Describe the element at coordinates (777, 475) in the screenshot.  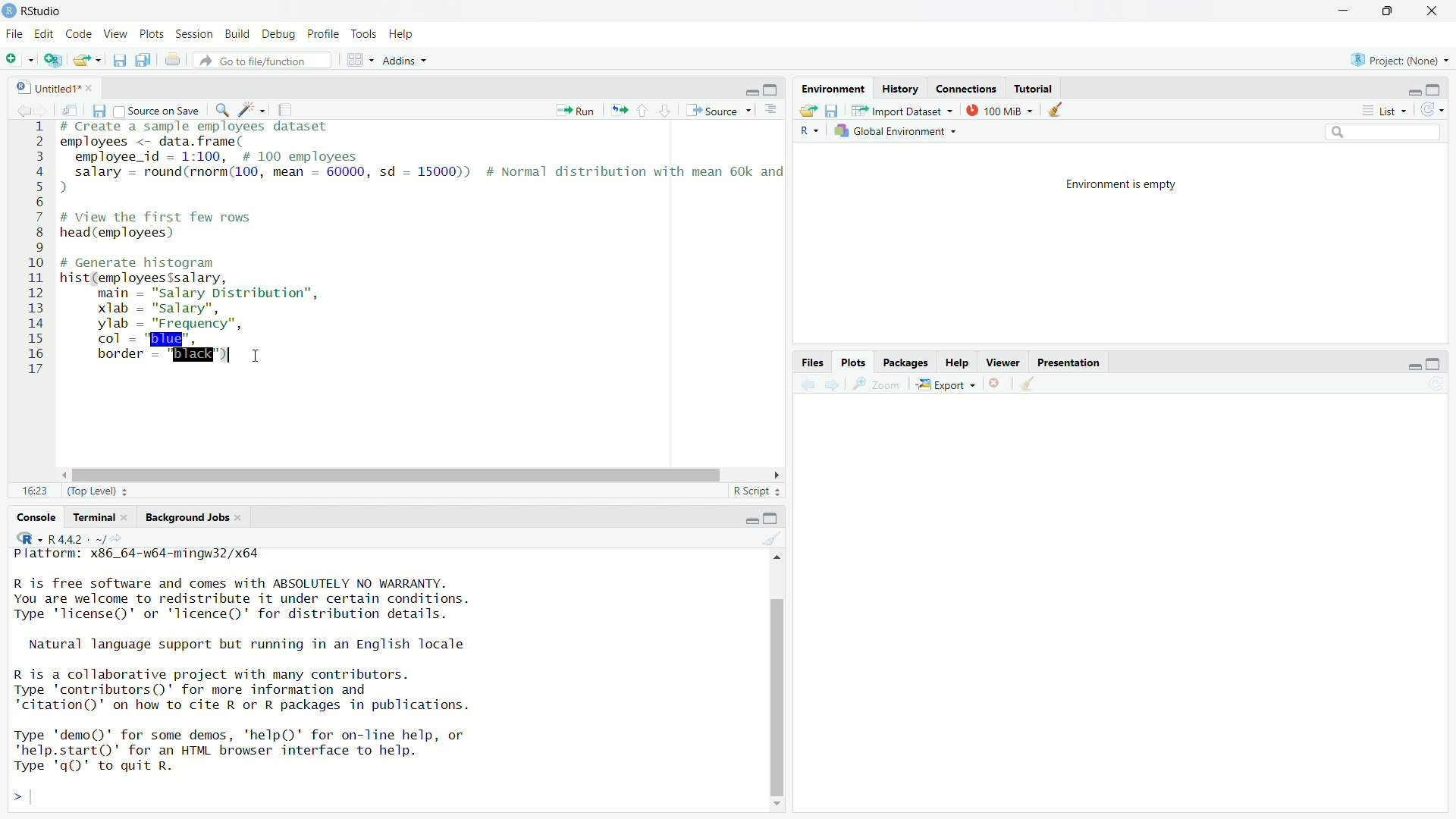
I see `scroll right` at that location.